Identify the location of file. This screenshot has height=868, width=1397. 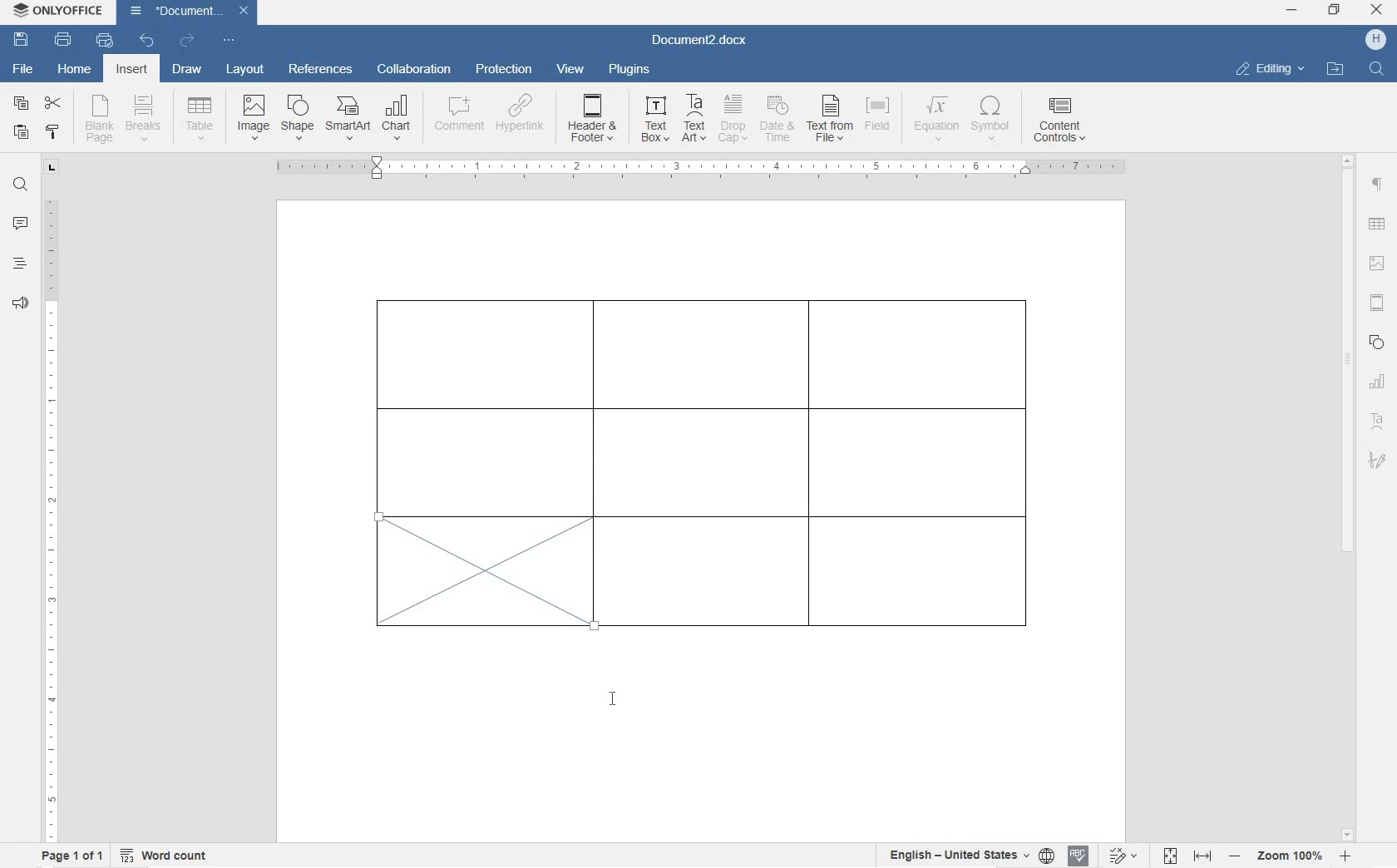
(26, 71).